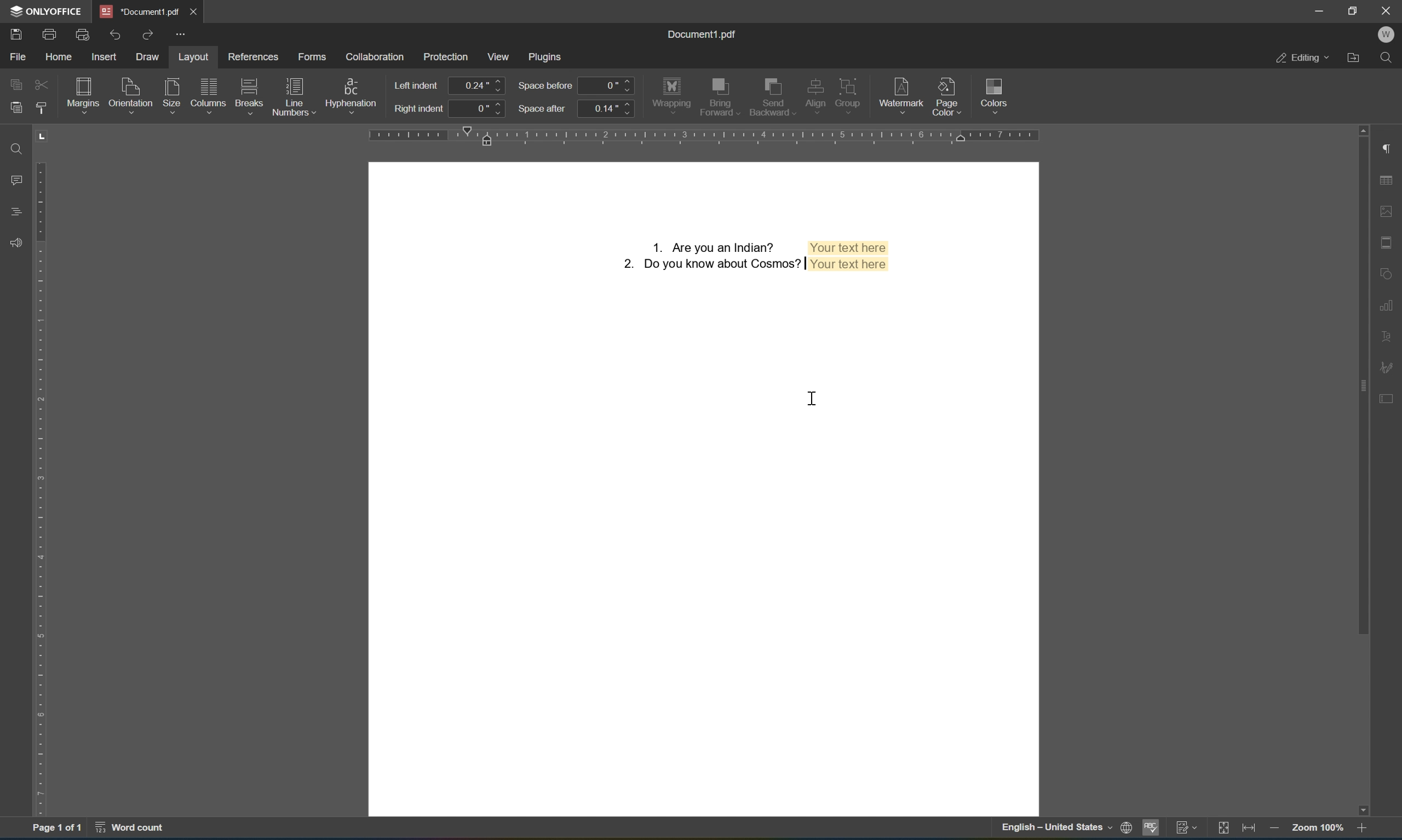 The height and width of the screenshot is (840, 1402). I want to click on home, so click(60, 57).